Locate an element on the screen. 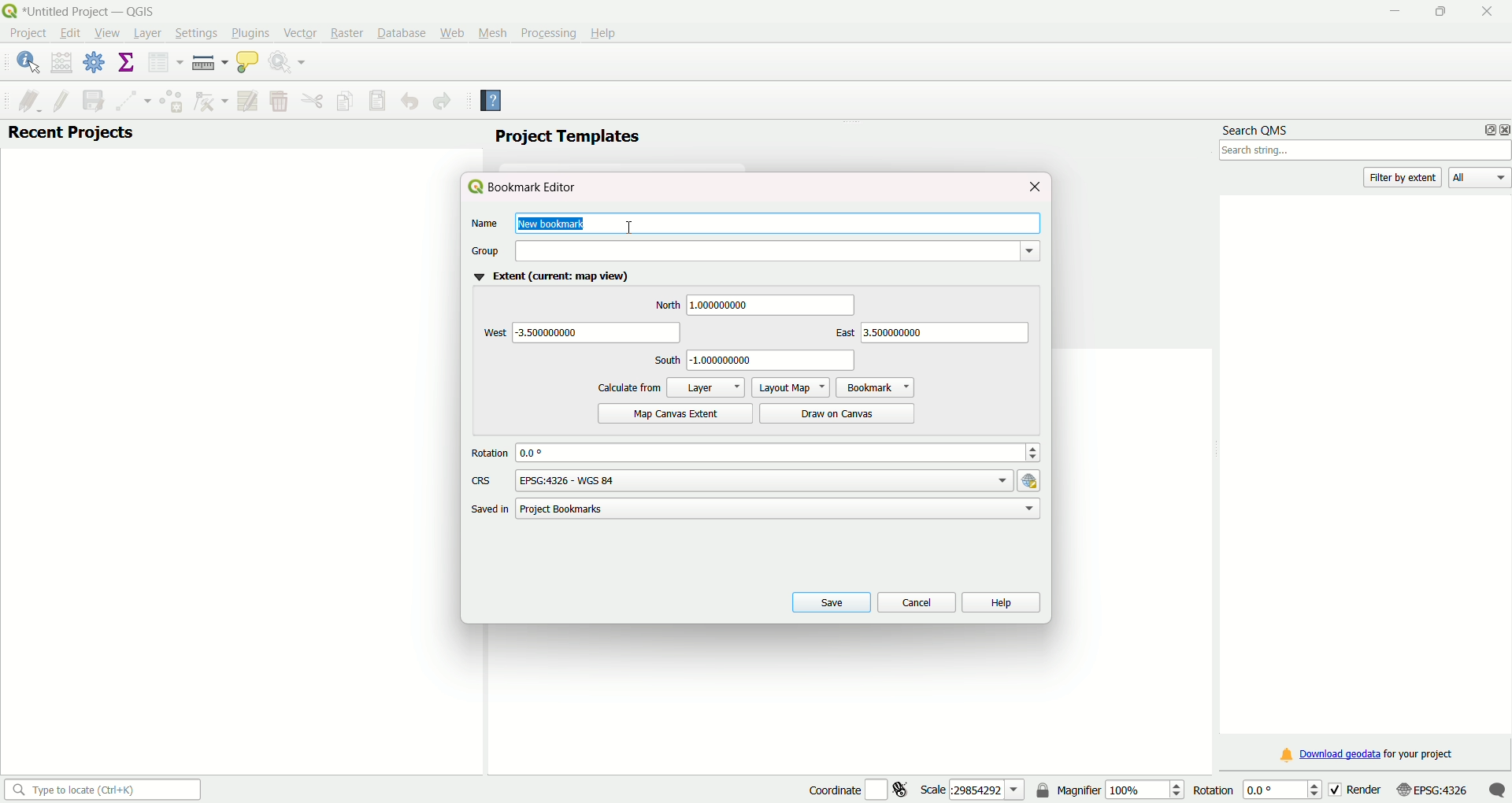 Image resolution: width=1512 pixels, height=803 pixels. coordinate is located at coordinates (832, 788).